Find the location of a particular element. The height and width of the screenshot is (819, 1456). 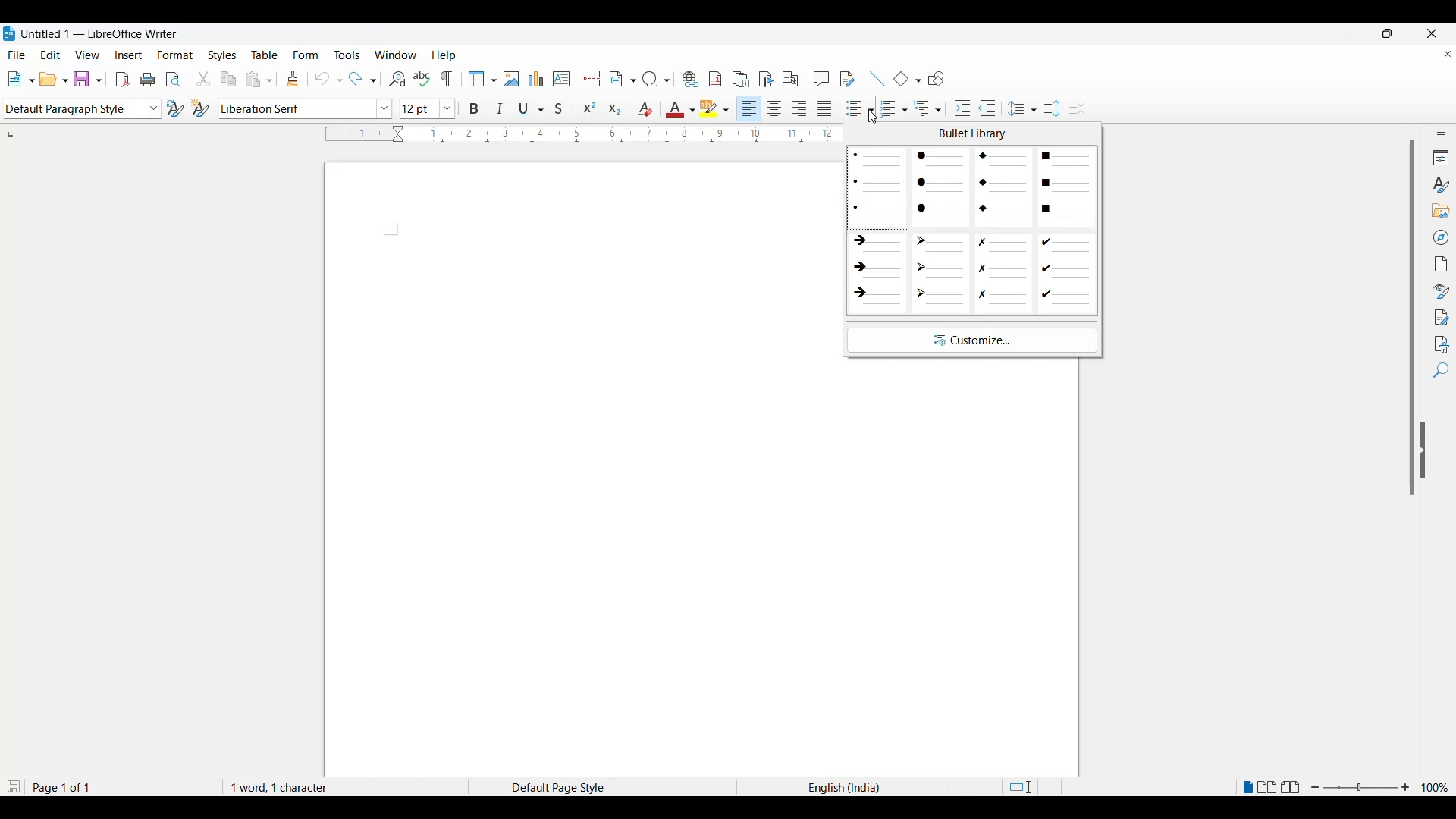

strike though is located at coordinates (563, 108).